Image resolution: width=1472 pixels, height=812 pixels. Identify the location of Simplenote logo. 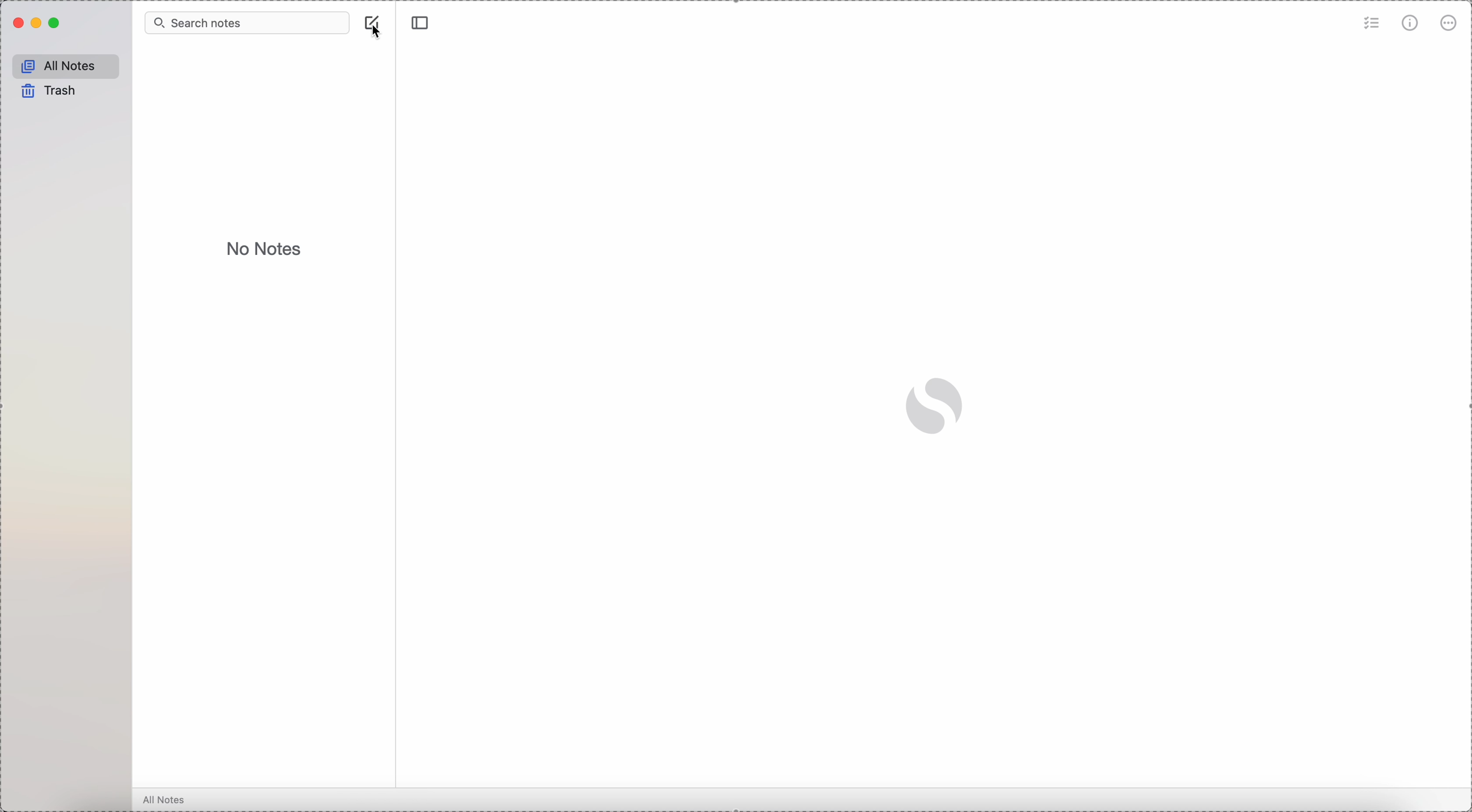
(934, 404).